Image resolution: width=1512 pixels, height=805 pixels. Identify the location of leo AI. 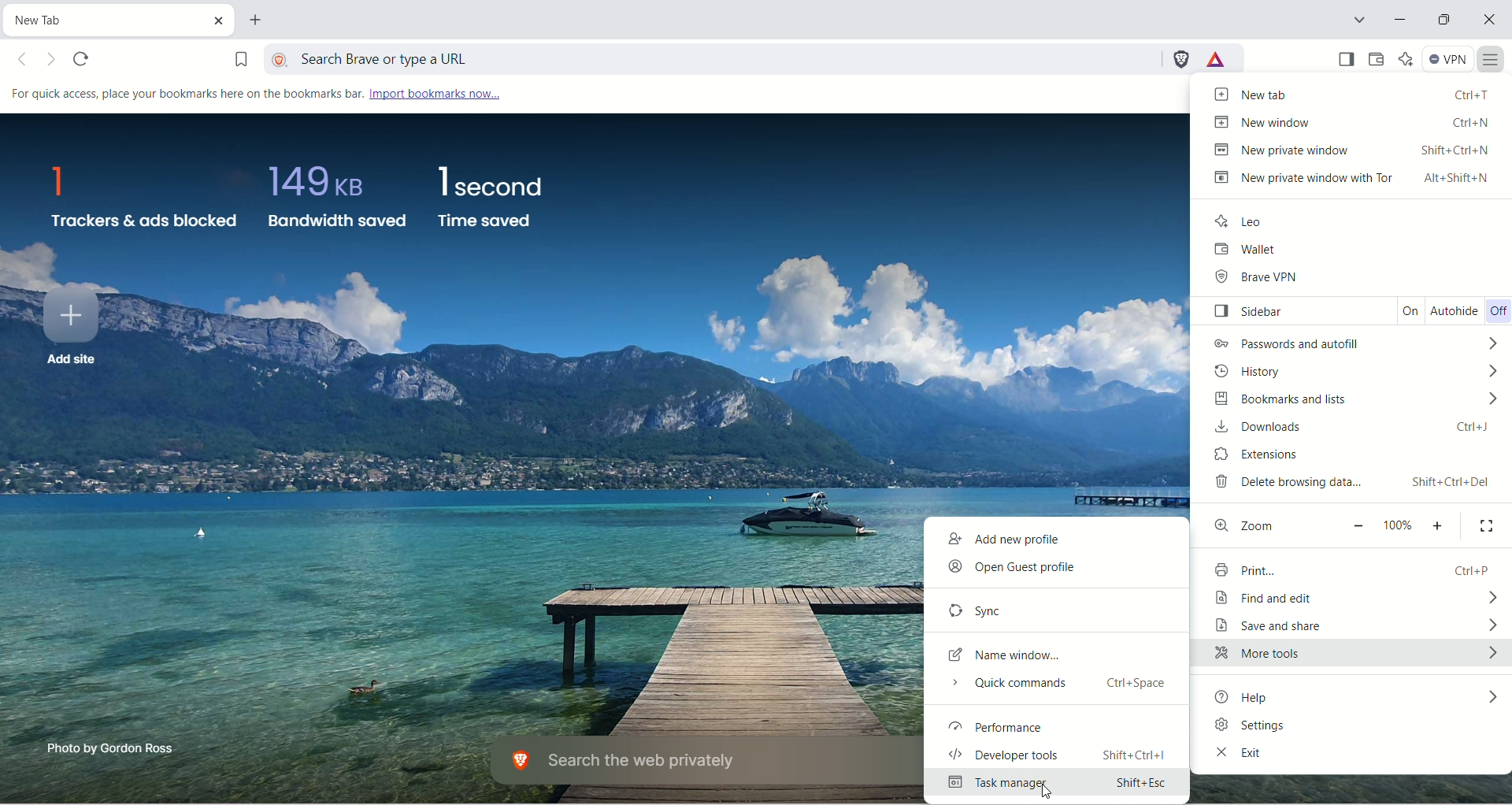
(1406, 57).